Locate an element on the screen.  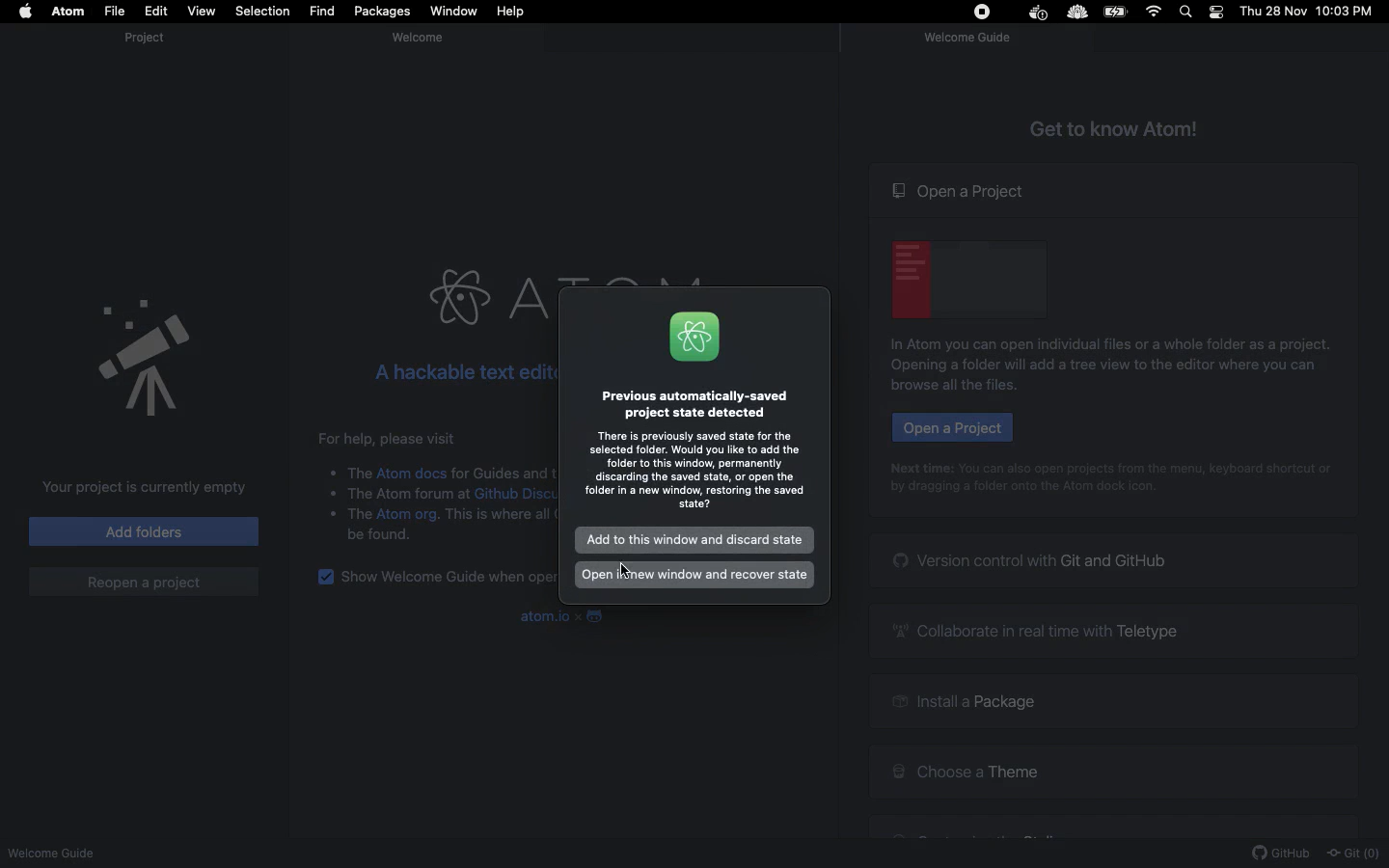
Install a package is located at coordinates (960, 704).